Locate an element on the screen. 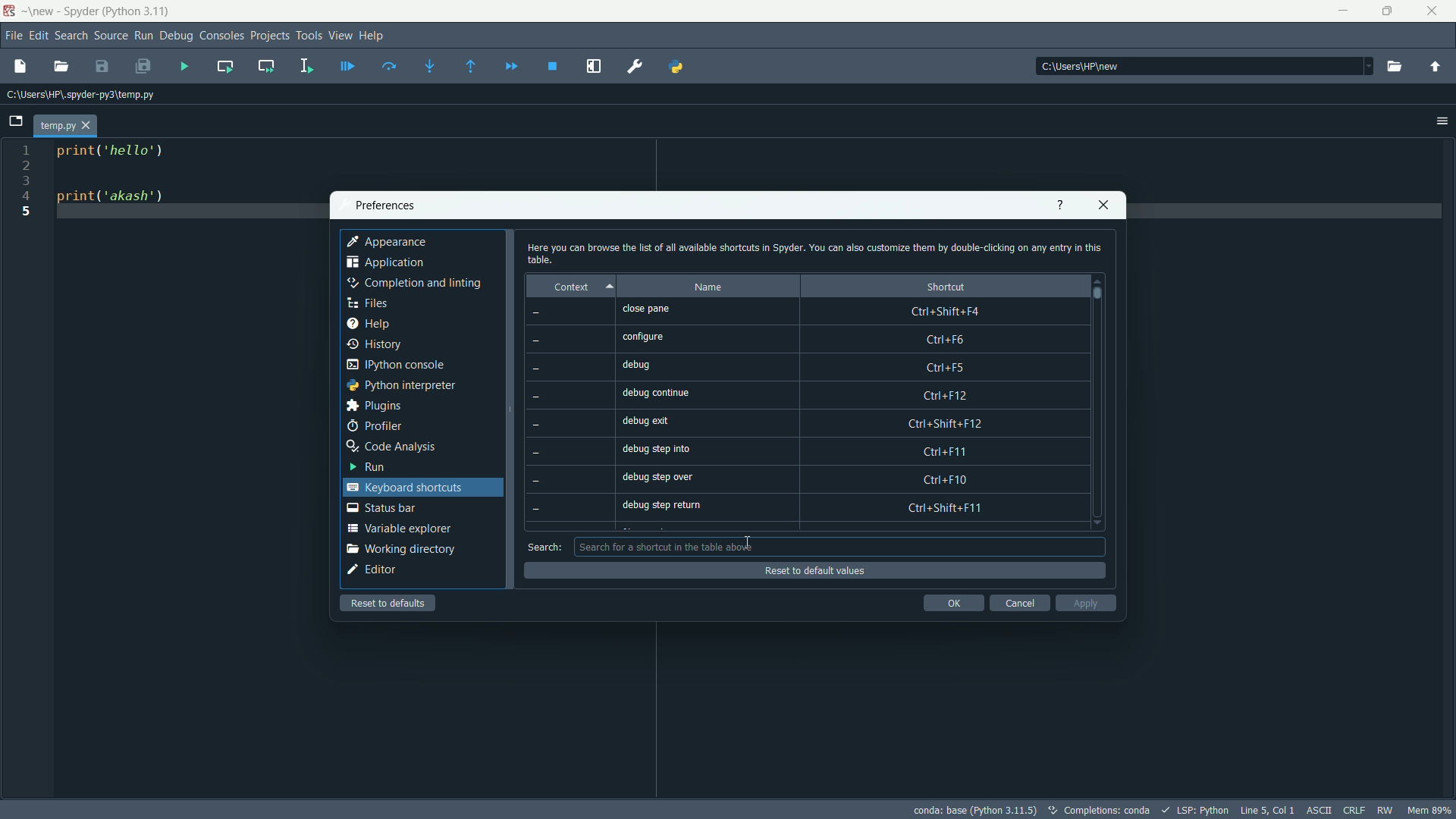  5 is located at coordinates (29, 212).